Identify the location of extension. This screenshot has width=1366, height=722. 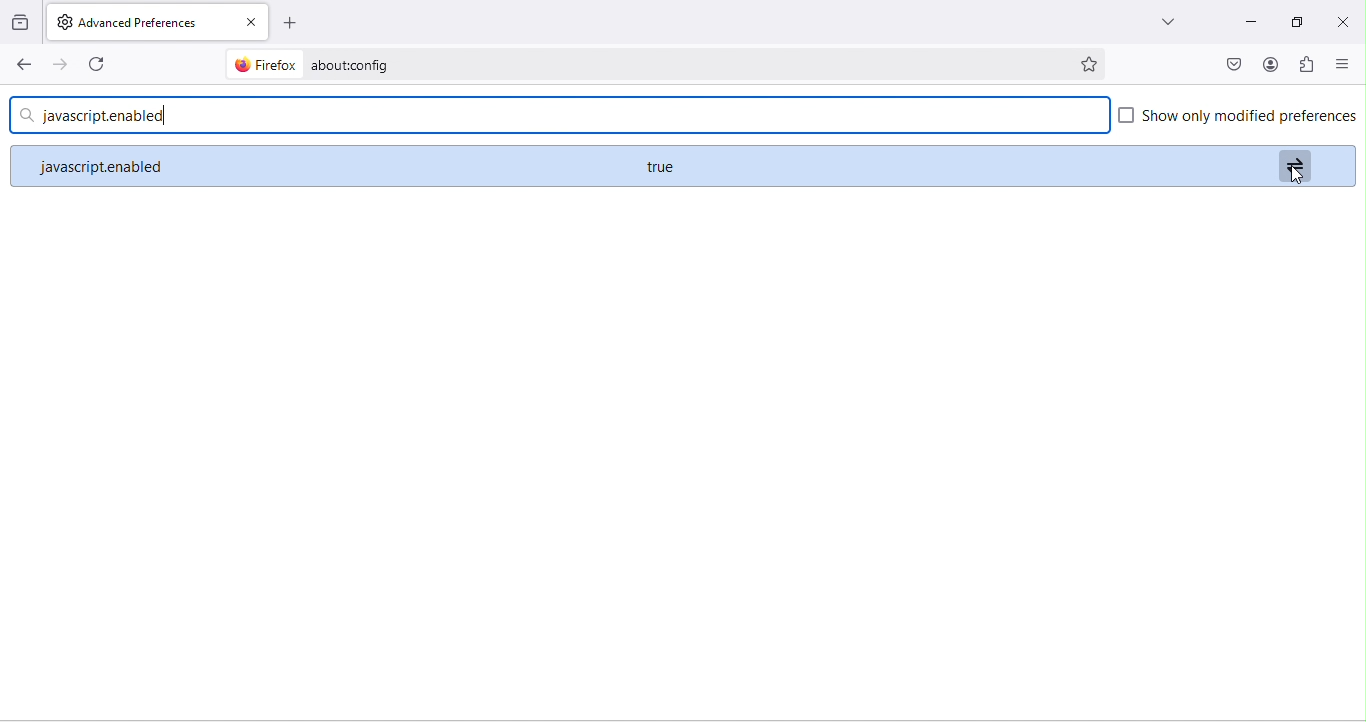
(1309, 65).